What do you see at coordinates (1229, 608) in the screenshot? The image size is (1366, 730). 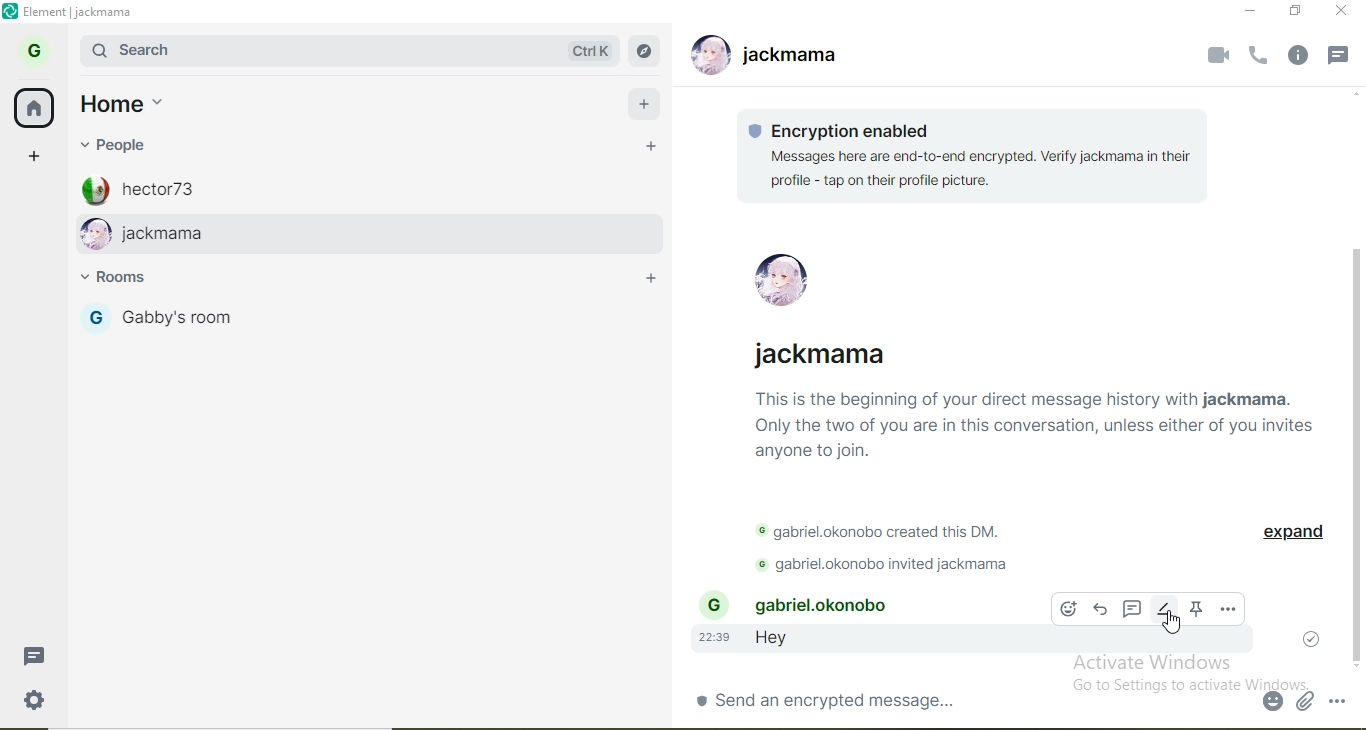 I see `options` at bounding box center [1229, 608].